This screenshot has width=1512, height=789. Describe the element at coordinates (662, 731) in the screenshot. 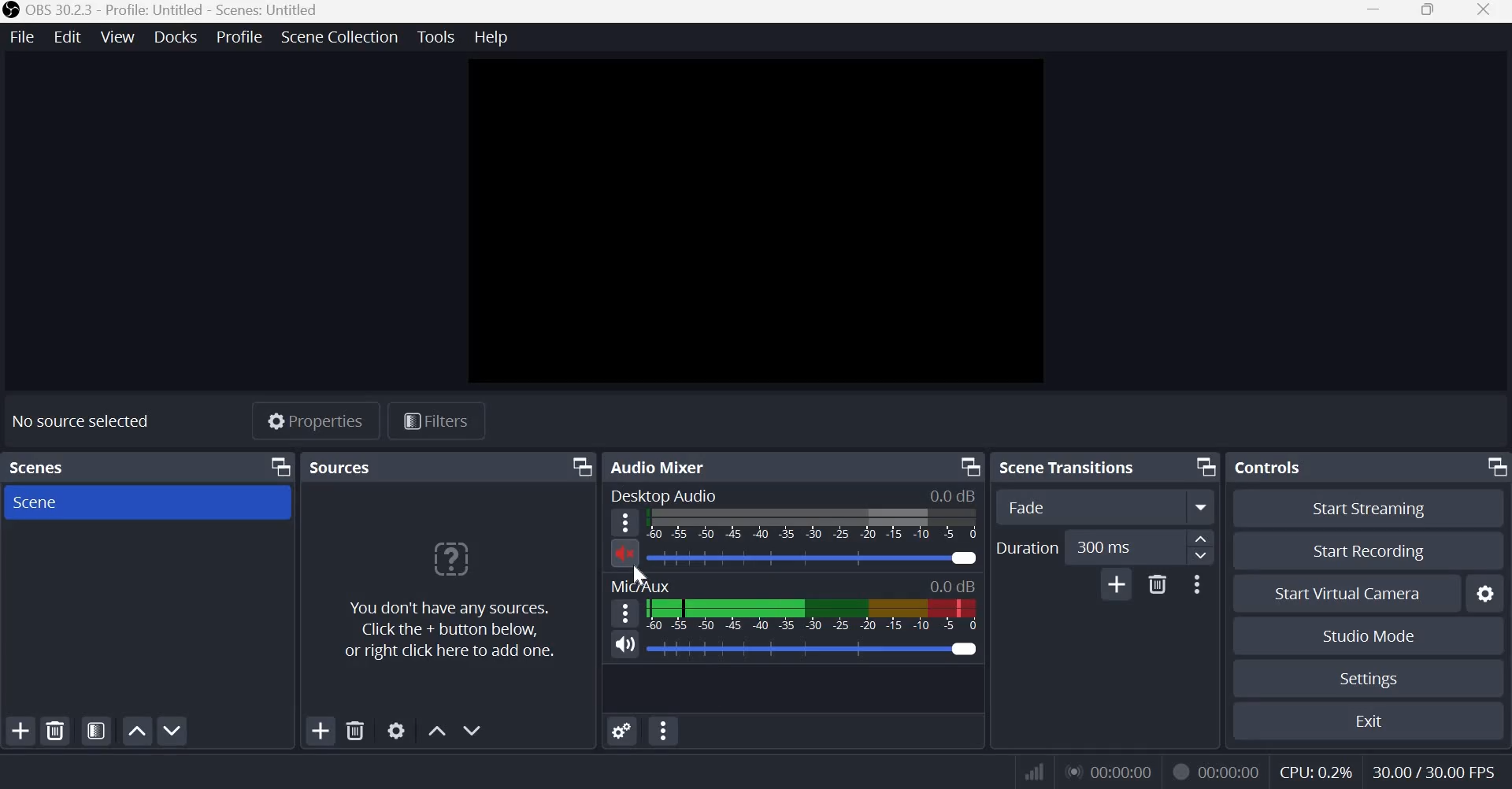

I see `Advanced audio properties` at that location.